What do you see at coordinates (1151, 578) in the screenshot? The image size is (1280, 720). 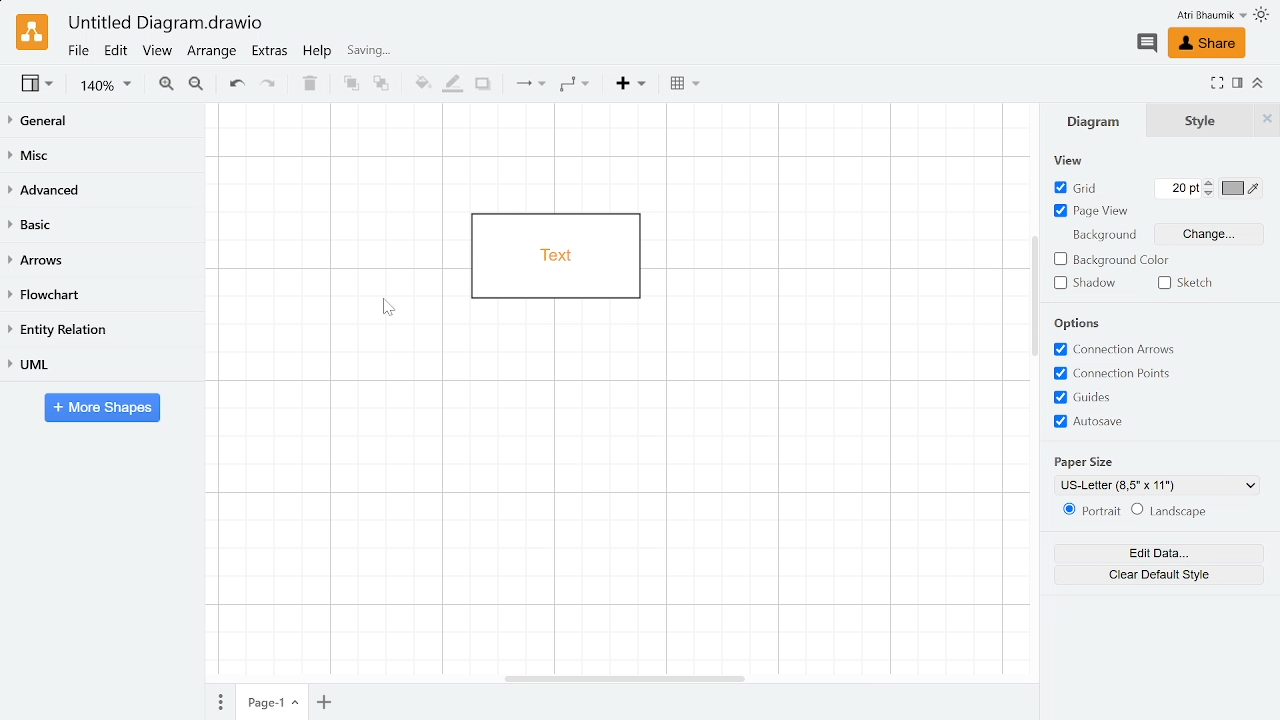 I see `Clear default style` at bounding box center [1151, 578].